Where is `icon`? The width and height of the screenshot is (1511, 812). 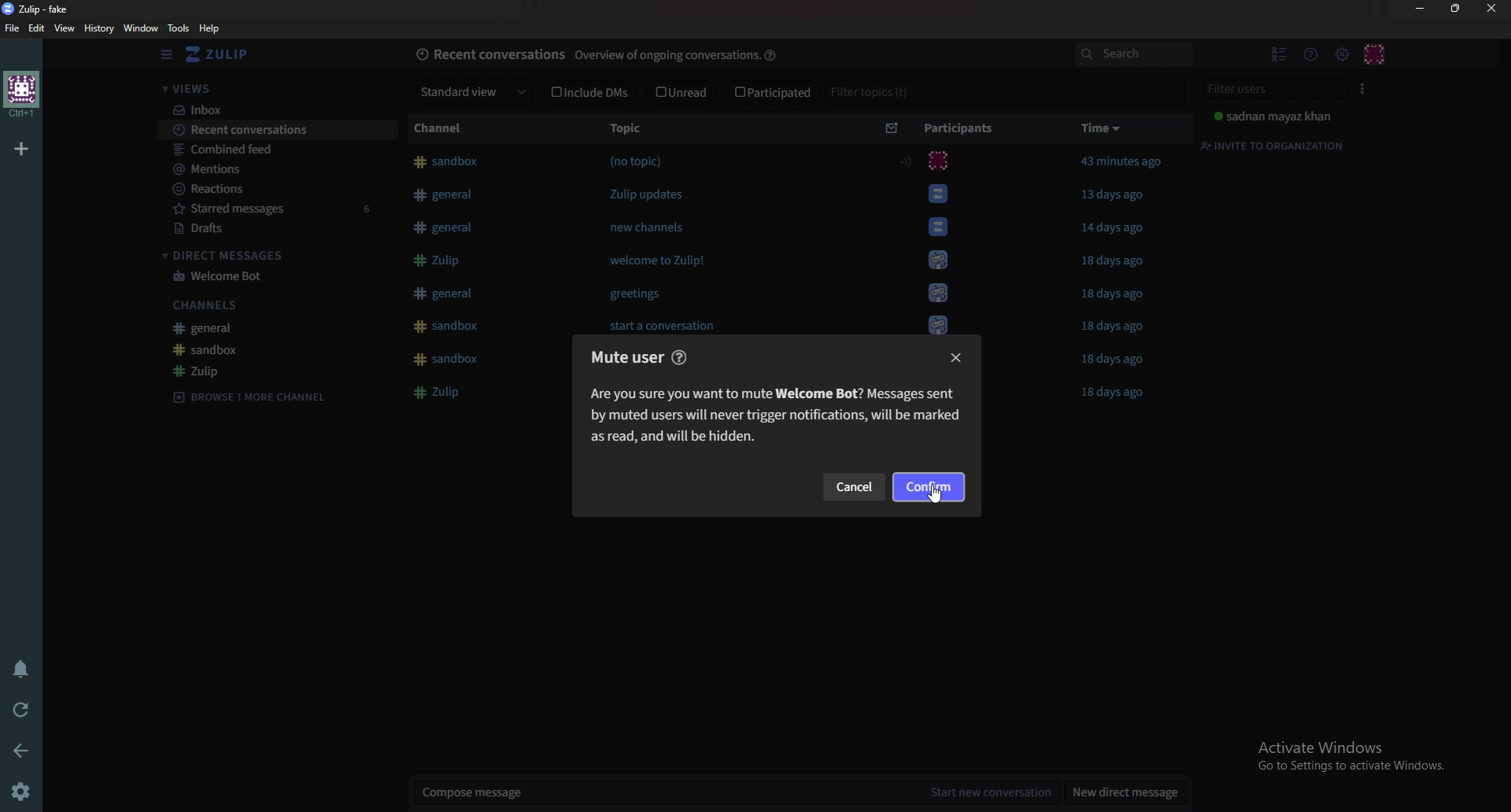
icon is located at coordinates (930, 161).